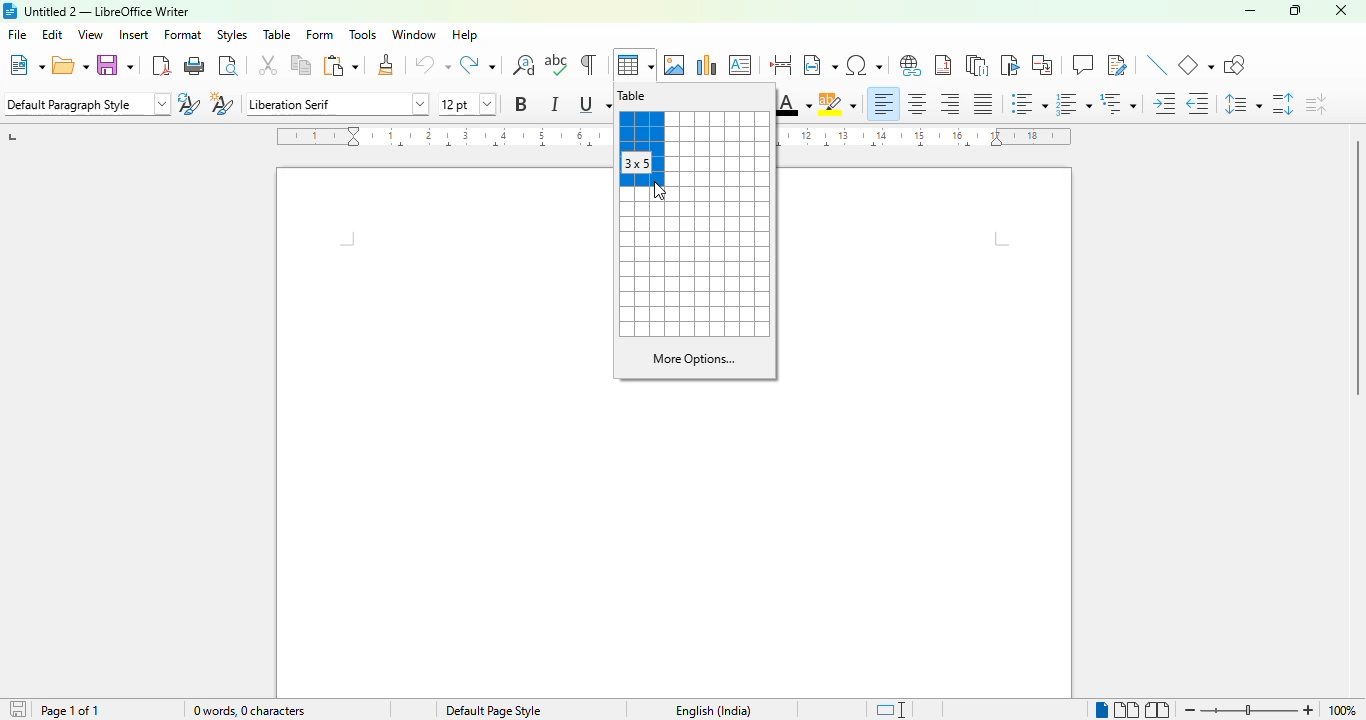  Describe the element at coordinates (71, 64) in the screenshot. I see `open` at that location.